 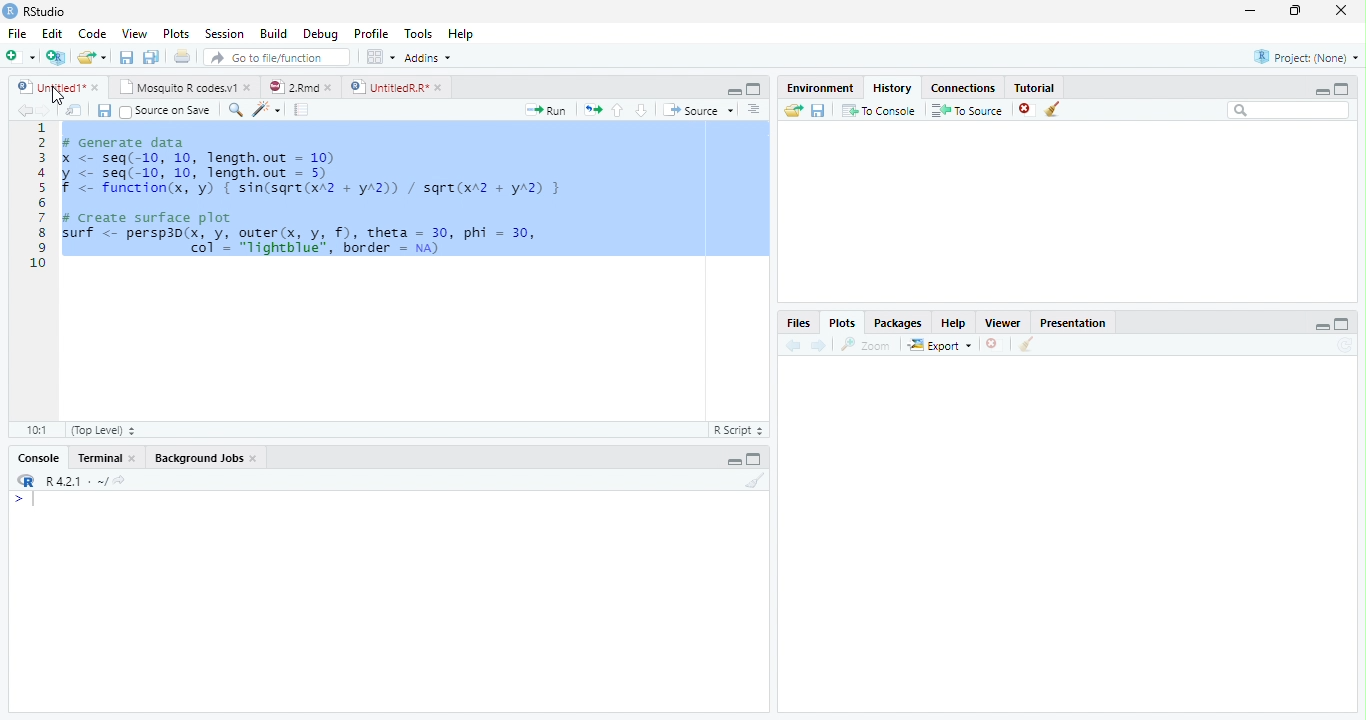 I want to click on 1:1, so click(x=37, y=430).